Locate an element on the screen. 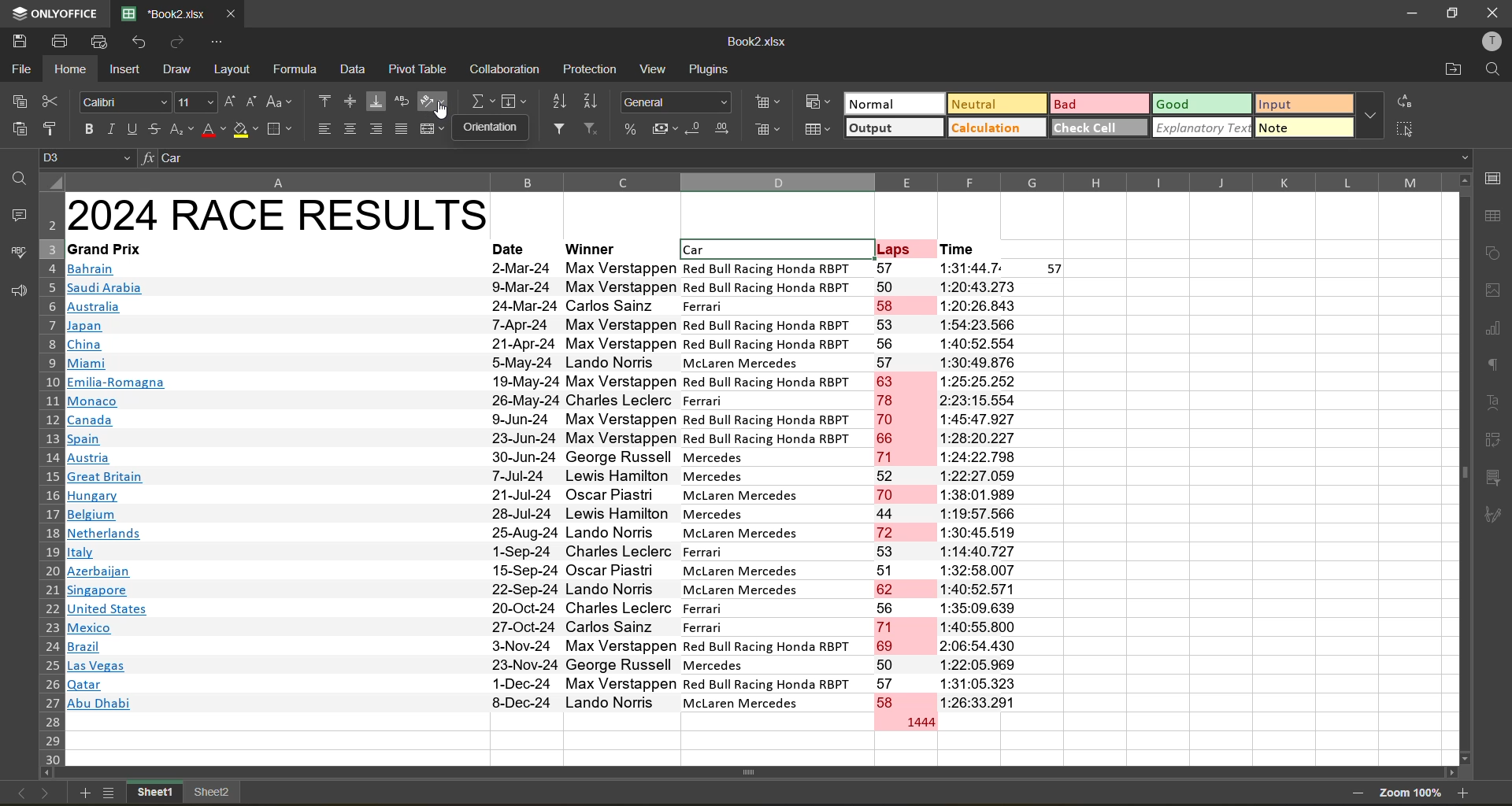  save is located at coordinates (16, 40).